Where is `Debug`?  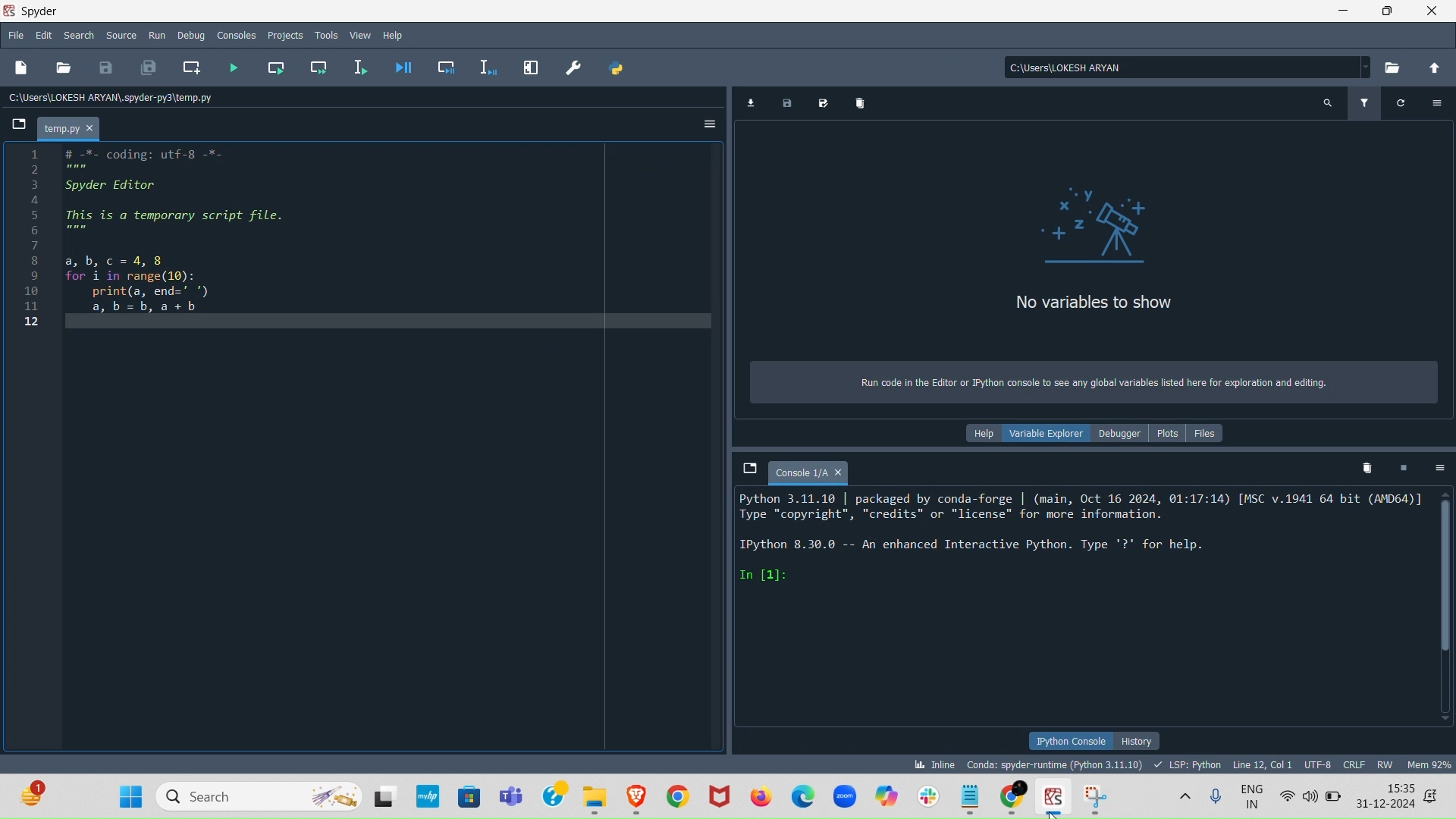
Debug is located at coordinates (192, 37).